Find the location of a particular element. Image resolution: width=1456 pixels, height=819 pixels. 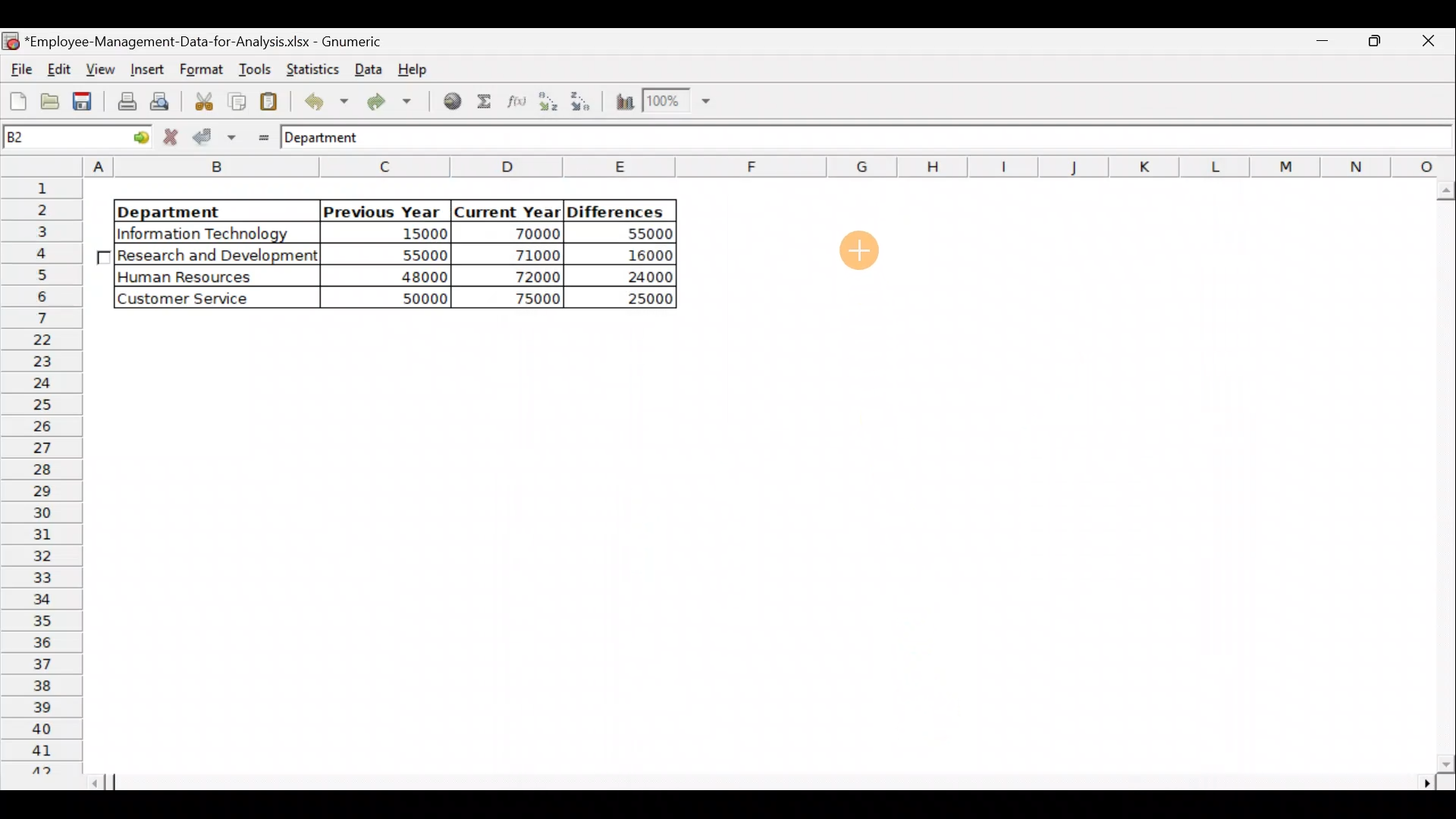

Minimize is located at coordinates (1376, 46).